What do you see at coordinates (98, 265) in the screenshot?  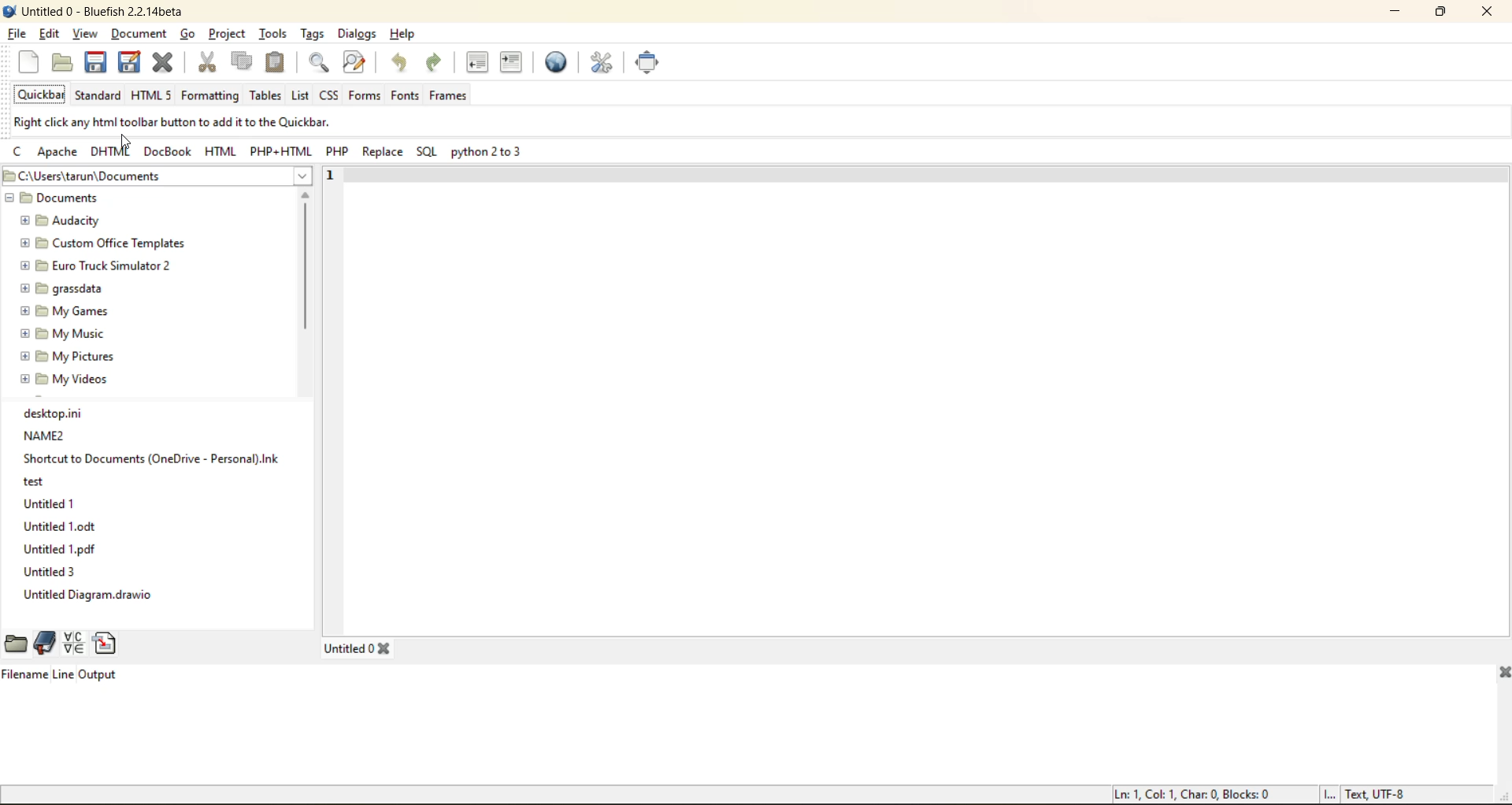 I see `Euro Truck Simulator 2` at bounding box center [98, 265].